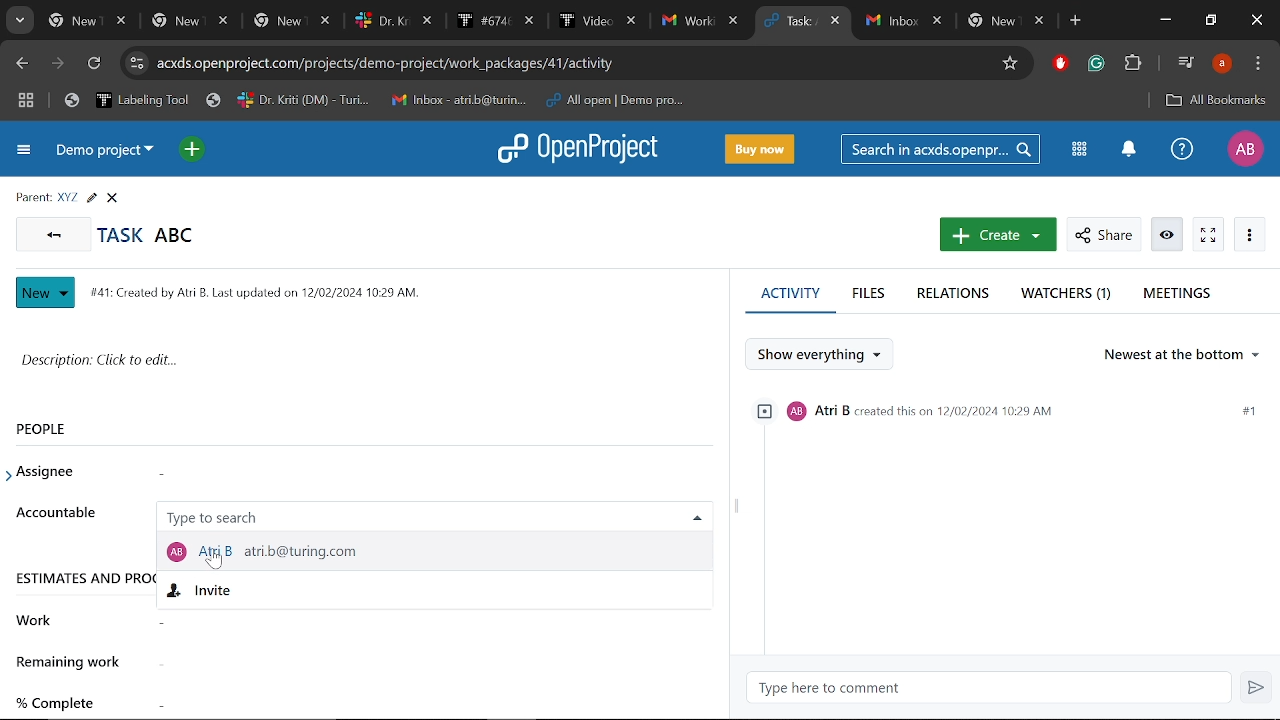 This screenshot has width=1280, height=720. I want to click on Task description, so click(321, 362).